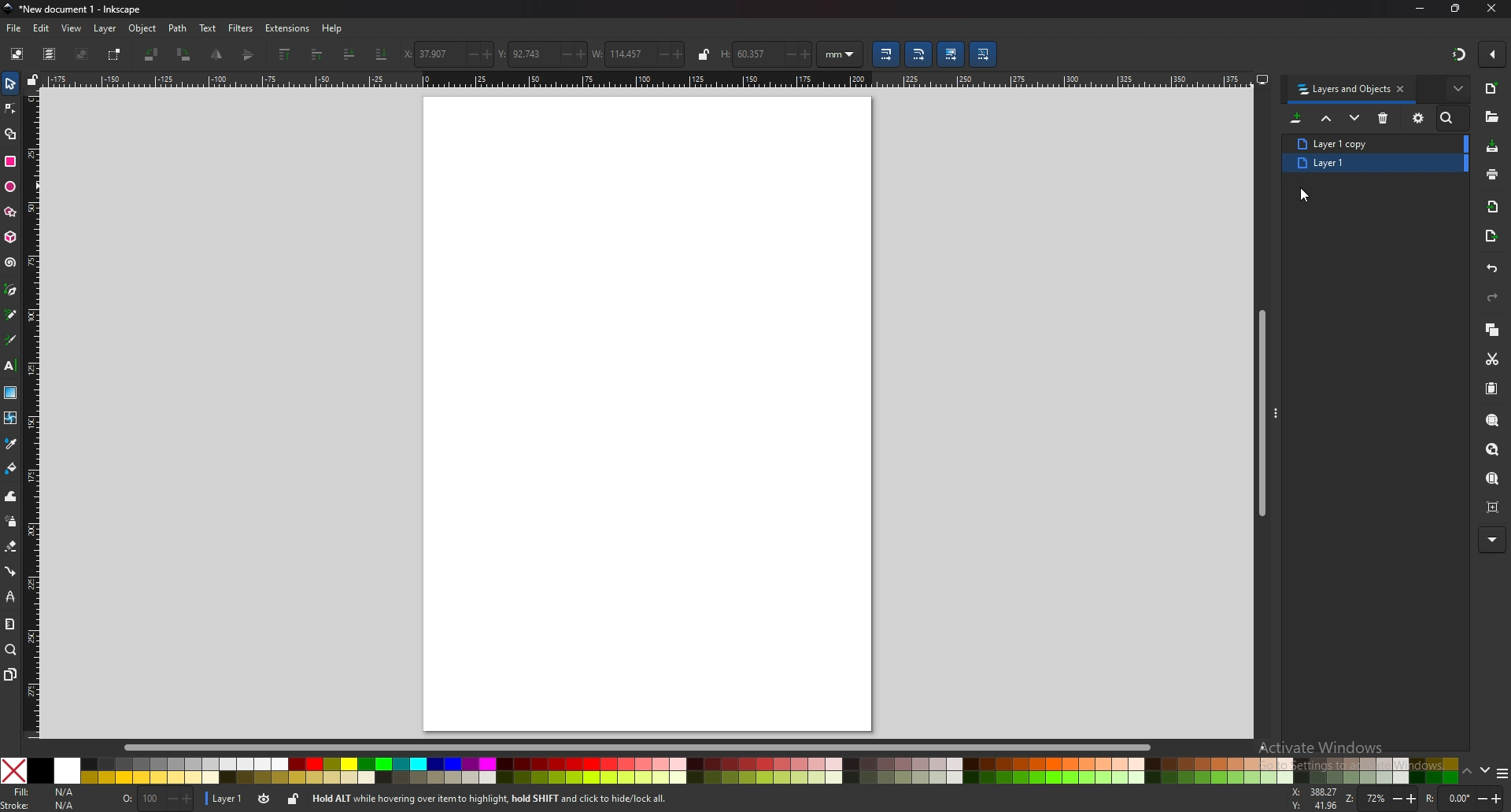  Describe the element at coordinates (885, 54) in the screenshot. I see `scale stroke width` at that location.